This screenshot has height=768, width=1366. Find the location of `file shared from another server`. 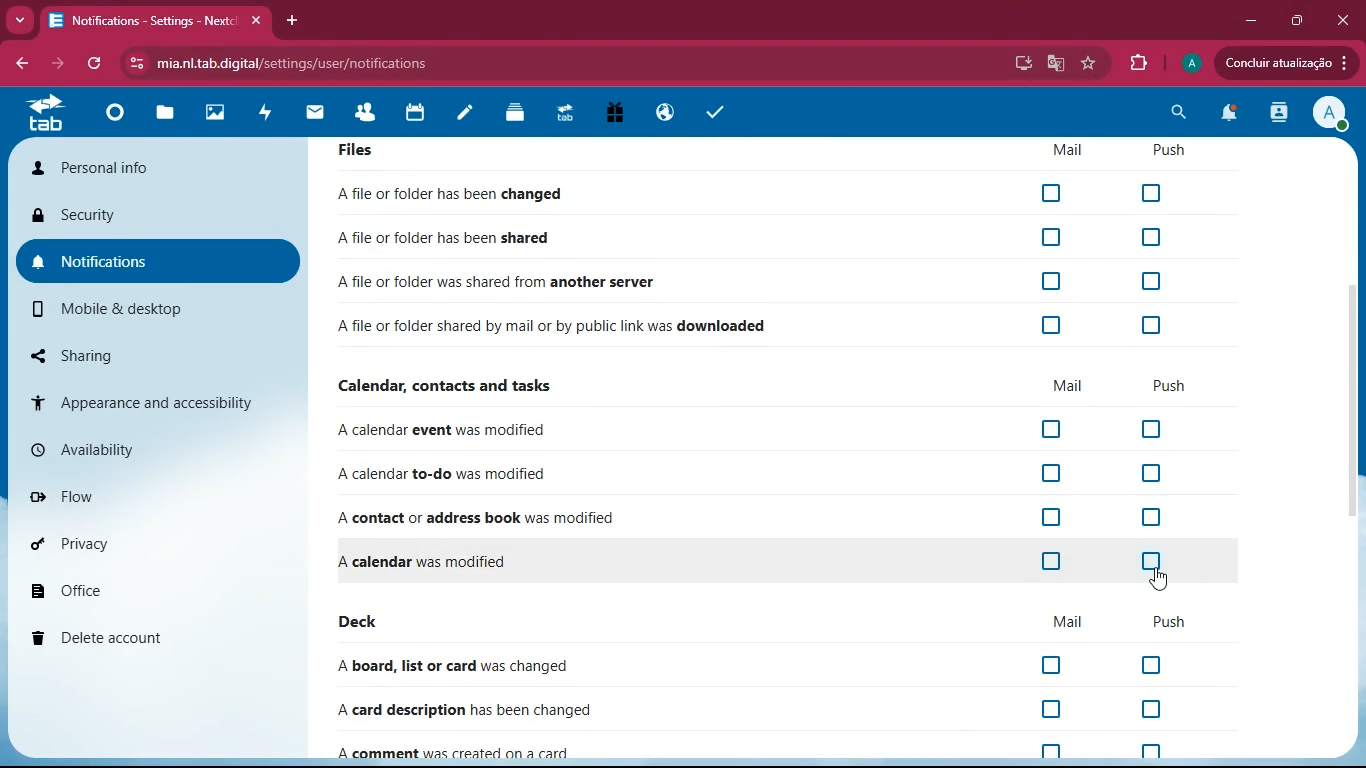

file shared from another server is located at coordinates (549, 281).